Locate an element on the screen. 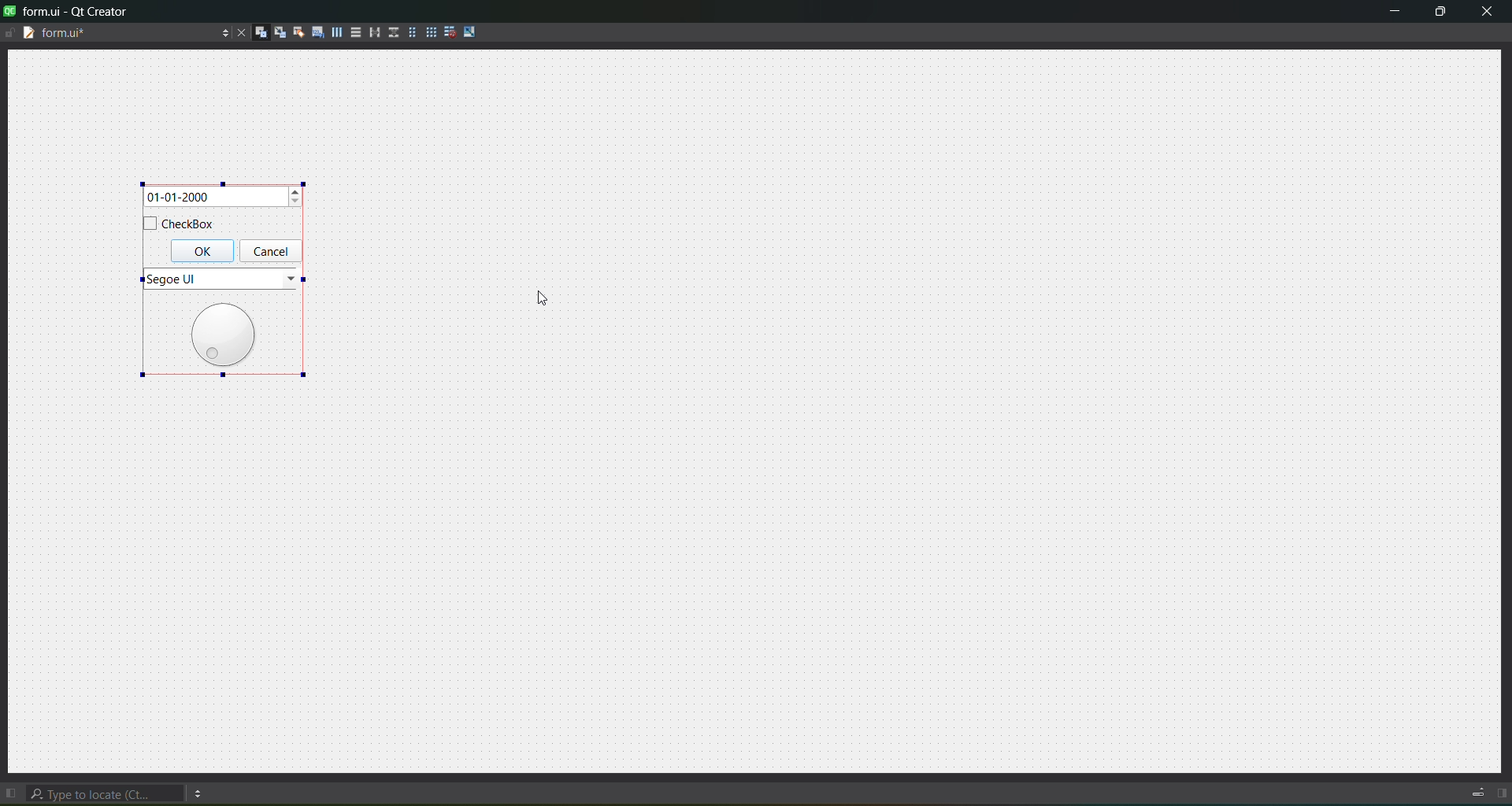  edit buddies is located at coordinates (295, 31).